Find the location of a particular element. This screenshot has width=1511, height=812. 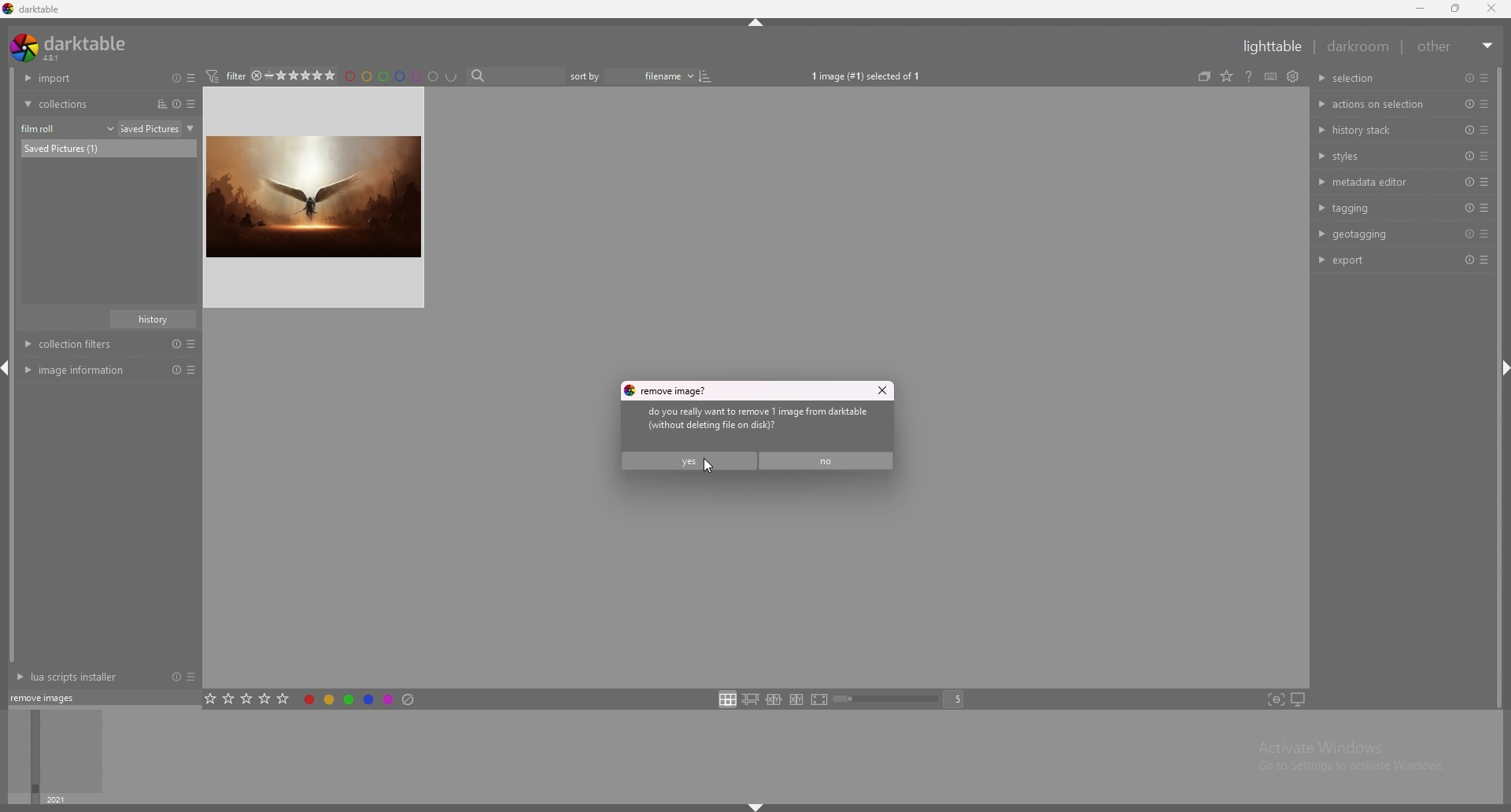

reset is located at coordinates (1469, 78).